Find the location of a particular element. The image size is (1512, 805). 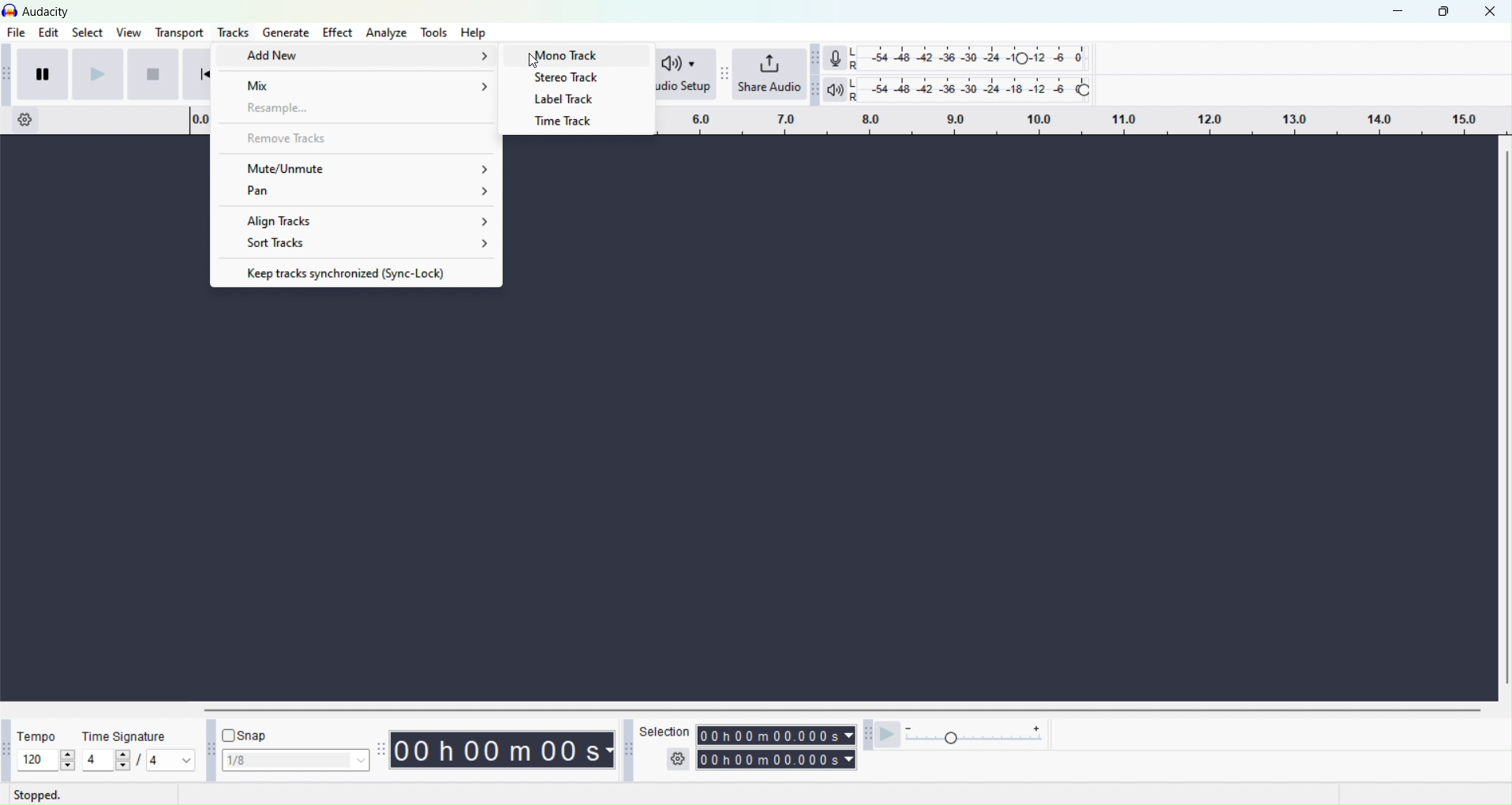

Timing of track is located at coordinates (776, 734).